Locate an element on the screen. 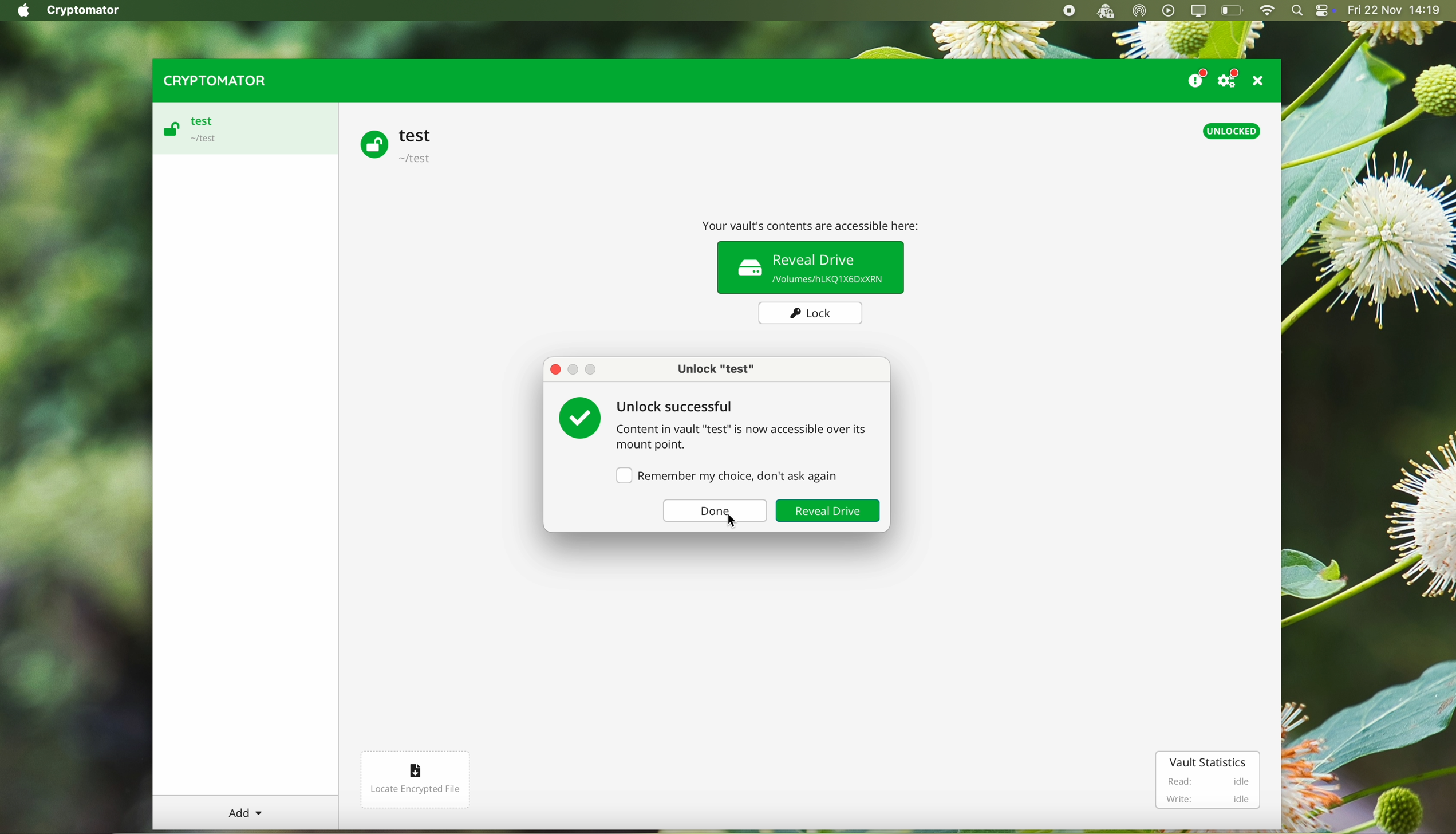 The width and height of the screenshot is (1456, 834). Minimize  is located at coordinates (575, 369).